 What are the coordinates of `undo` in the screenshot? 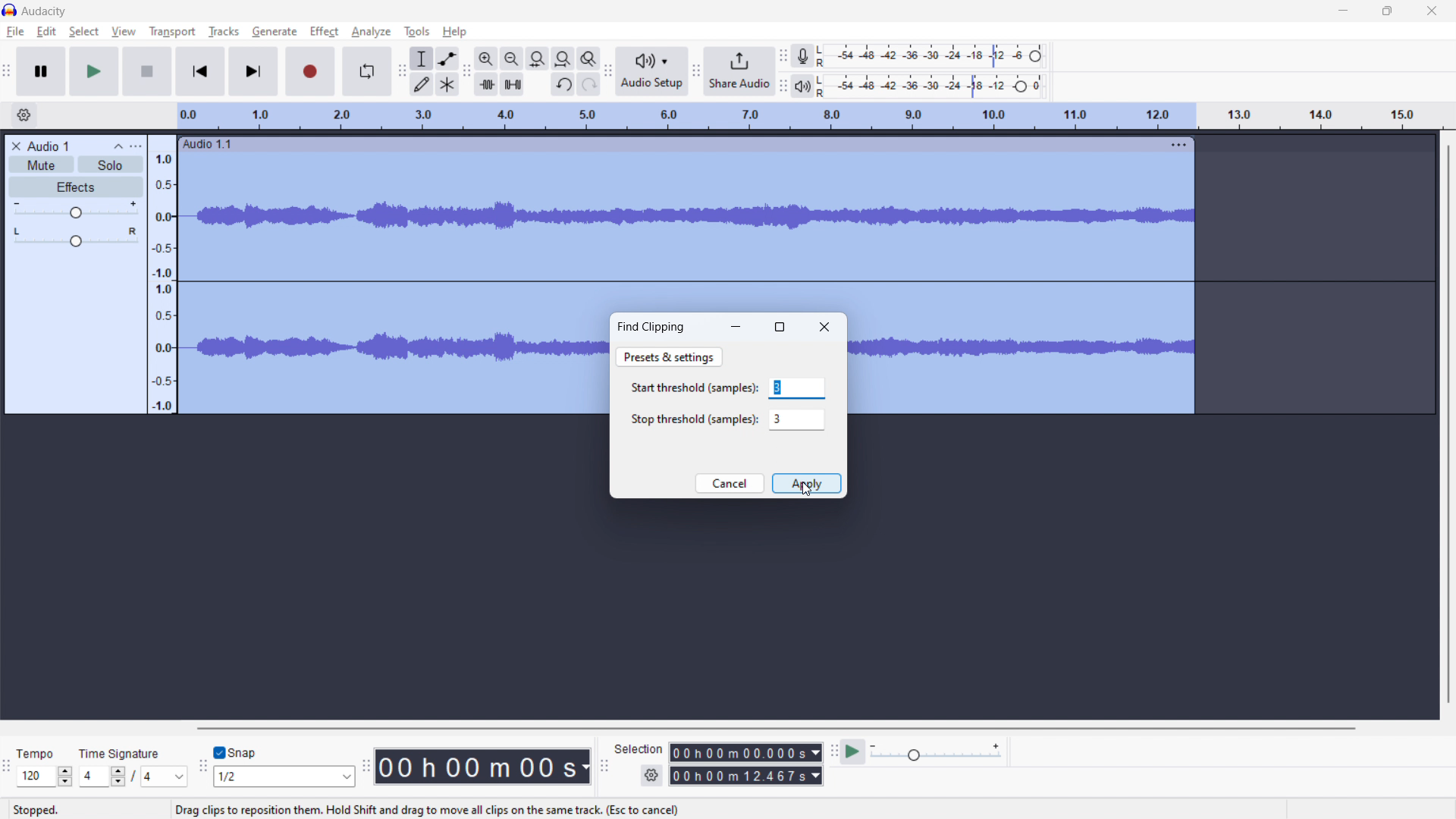 It's located at (563, 84).